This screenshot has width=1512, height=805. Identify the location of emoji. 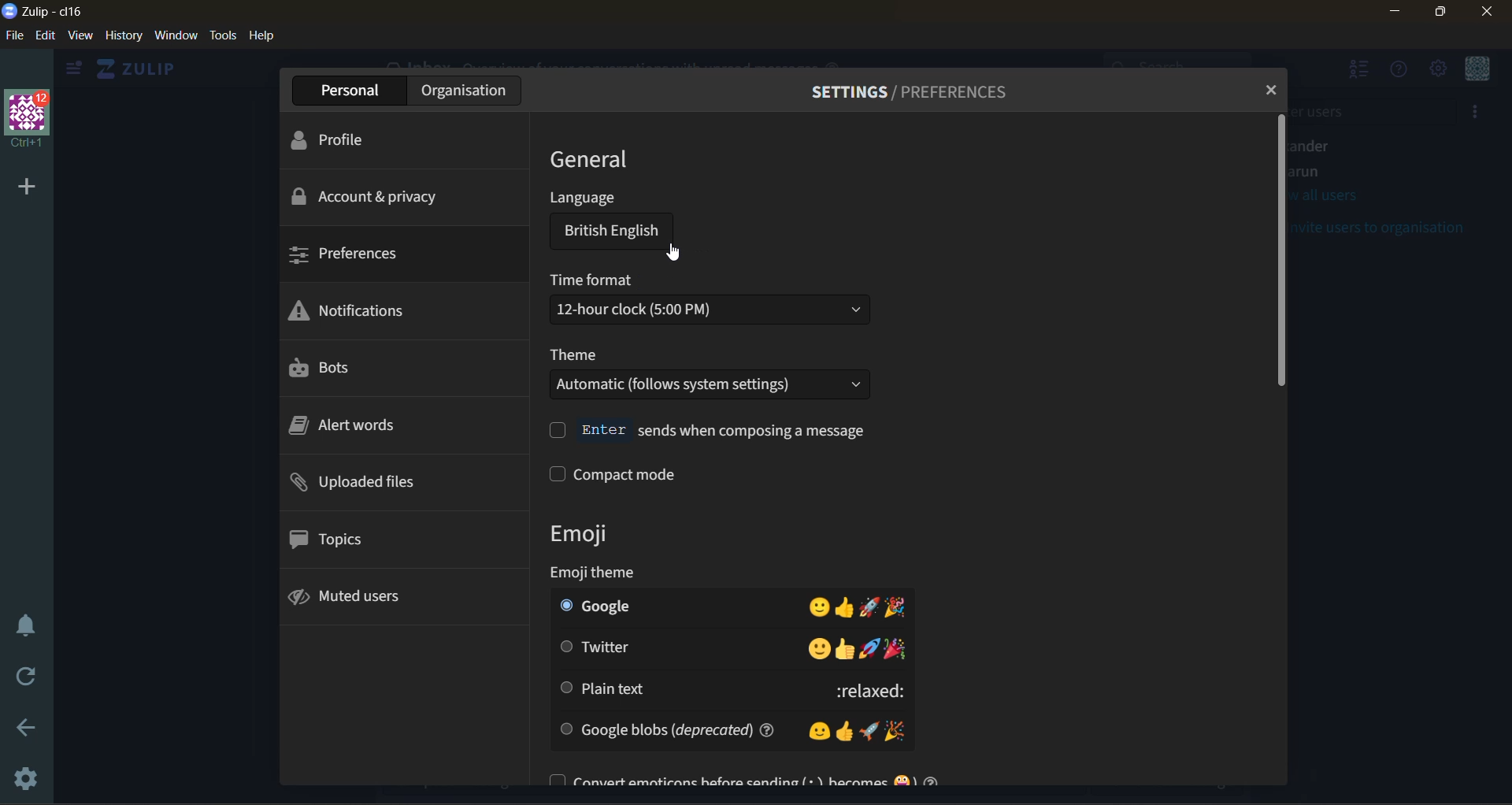
(586, 533).